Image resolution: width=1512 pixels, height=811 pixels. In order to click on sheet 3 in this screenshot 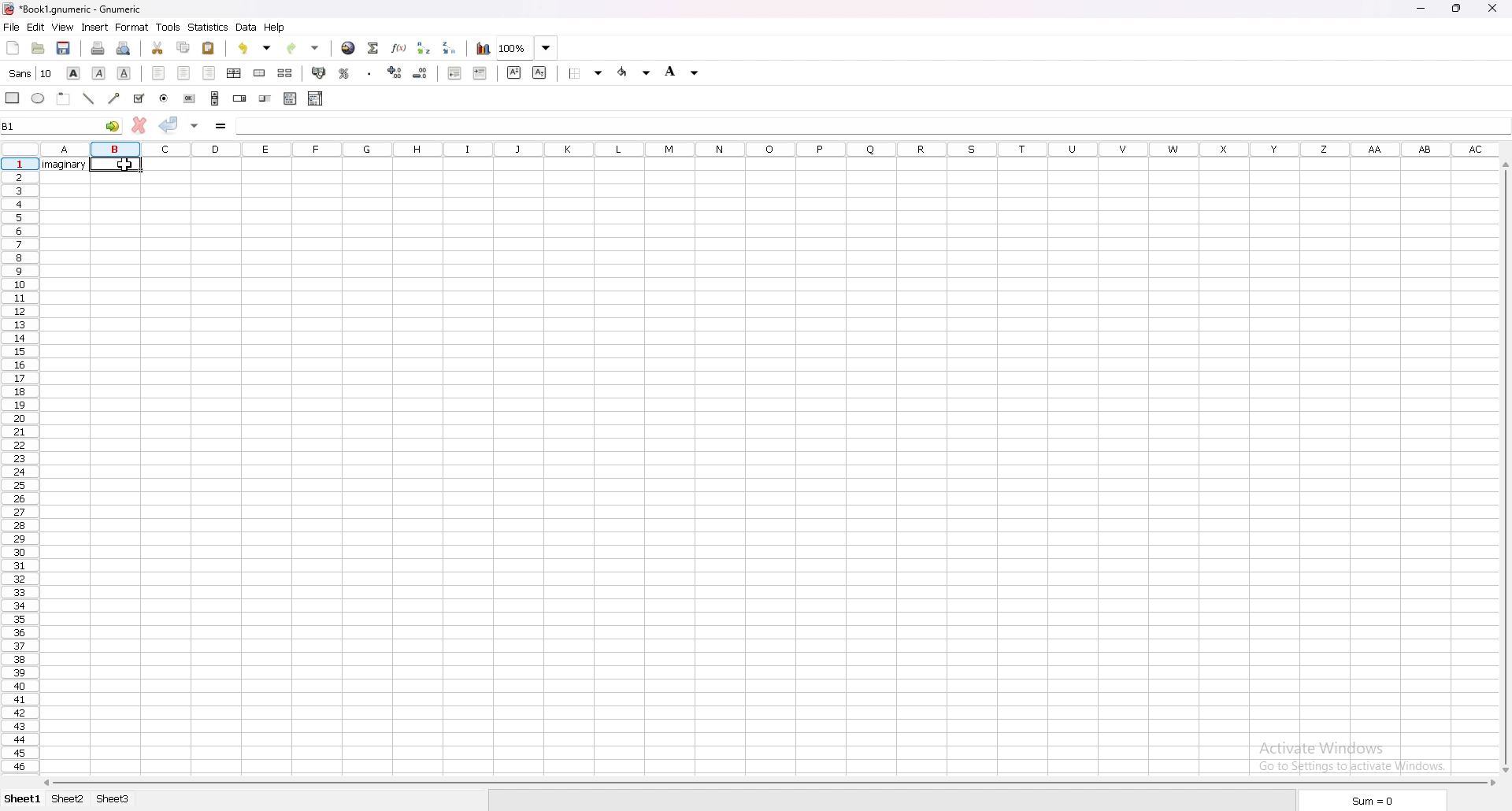, I will do `click(113, 799)`.